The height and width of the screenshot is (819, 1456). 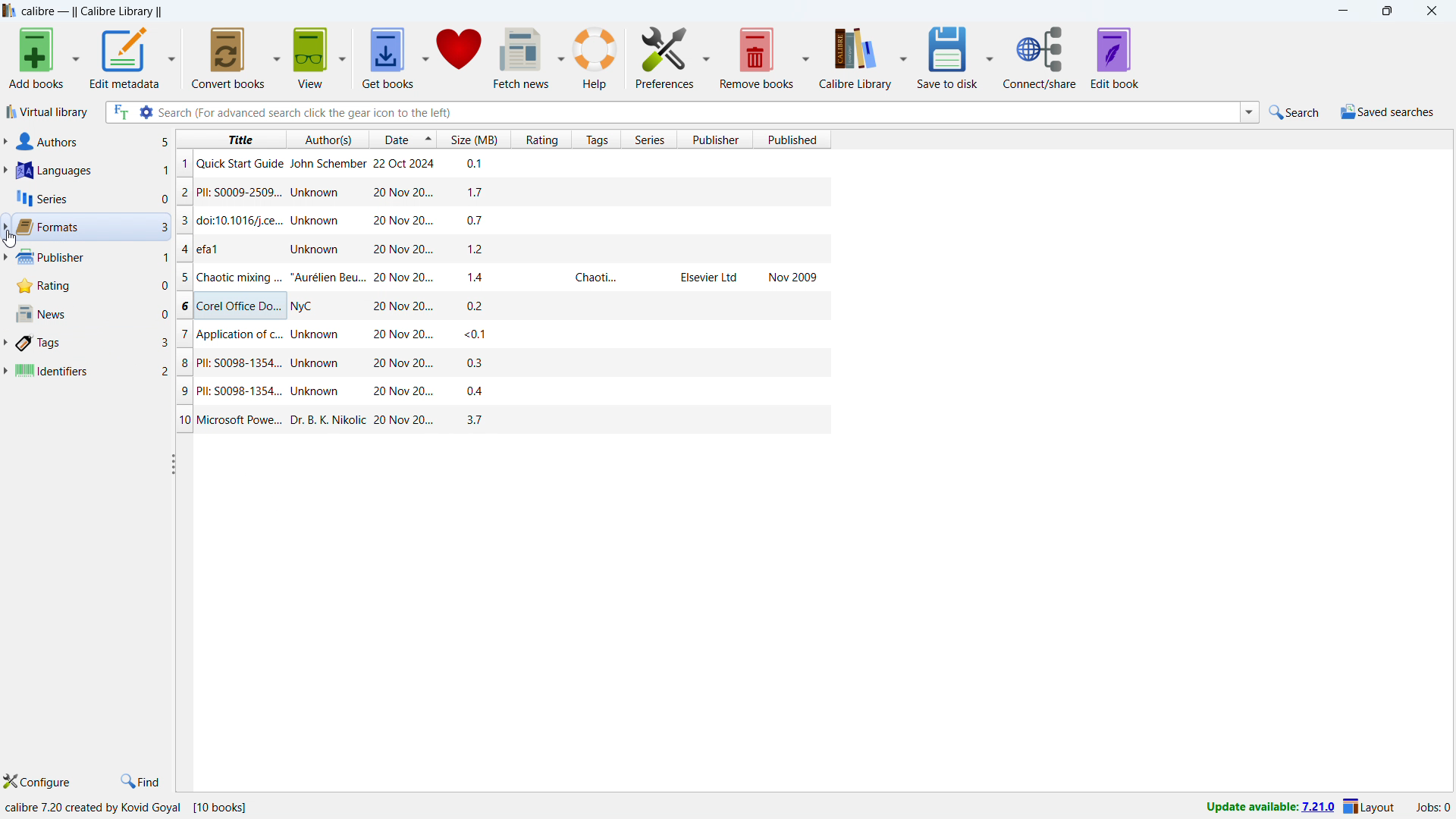 What do you see at coordinates (1344, 11) in the screenshot?
I see `minimize` at bounding box center [1344, 11].